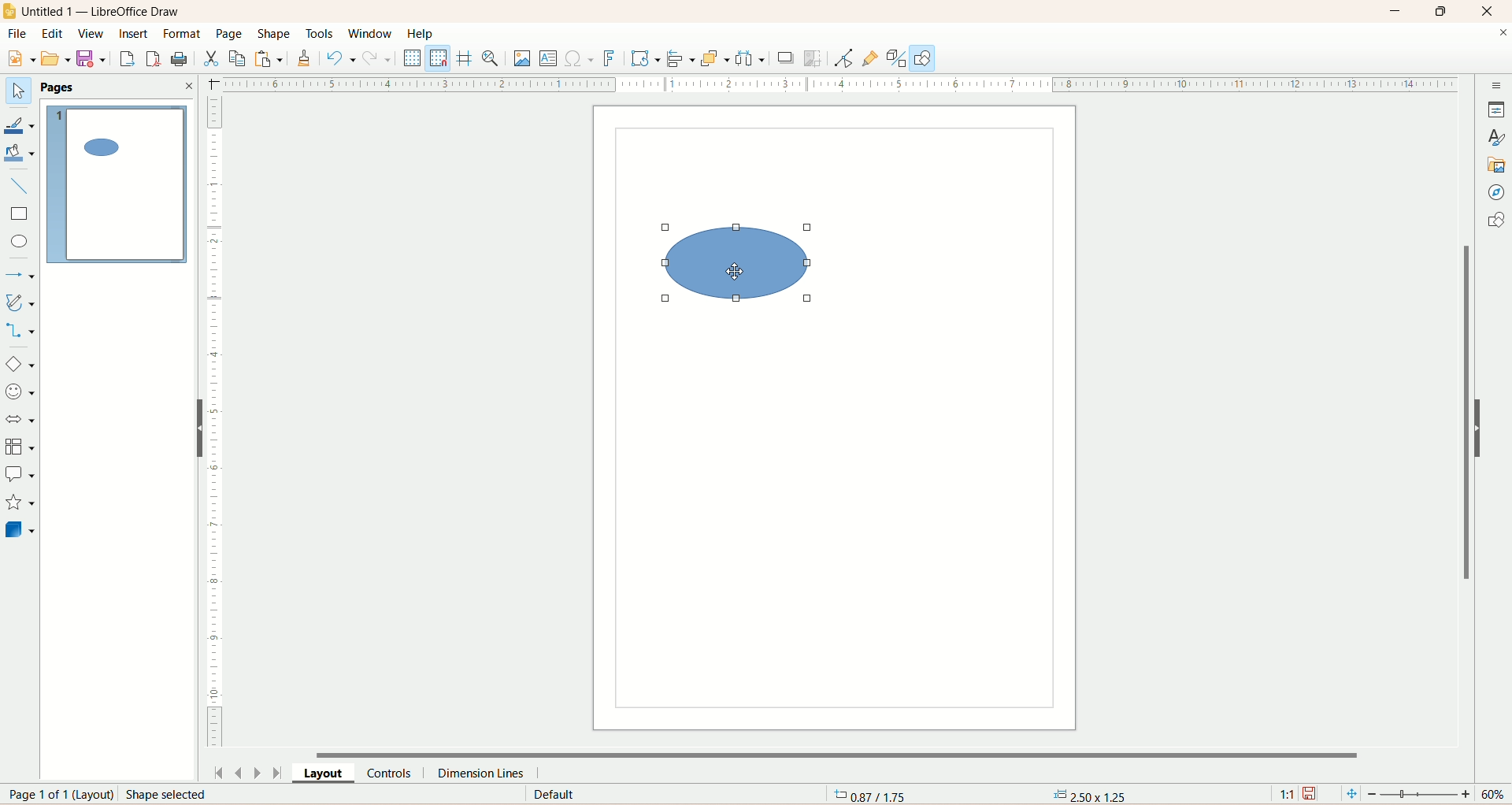 Image resolution: width=1512 pixels, height=805 pixels. I want to click on shape selected, so click(738, 261).